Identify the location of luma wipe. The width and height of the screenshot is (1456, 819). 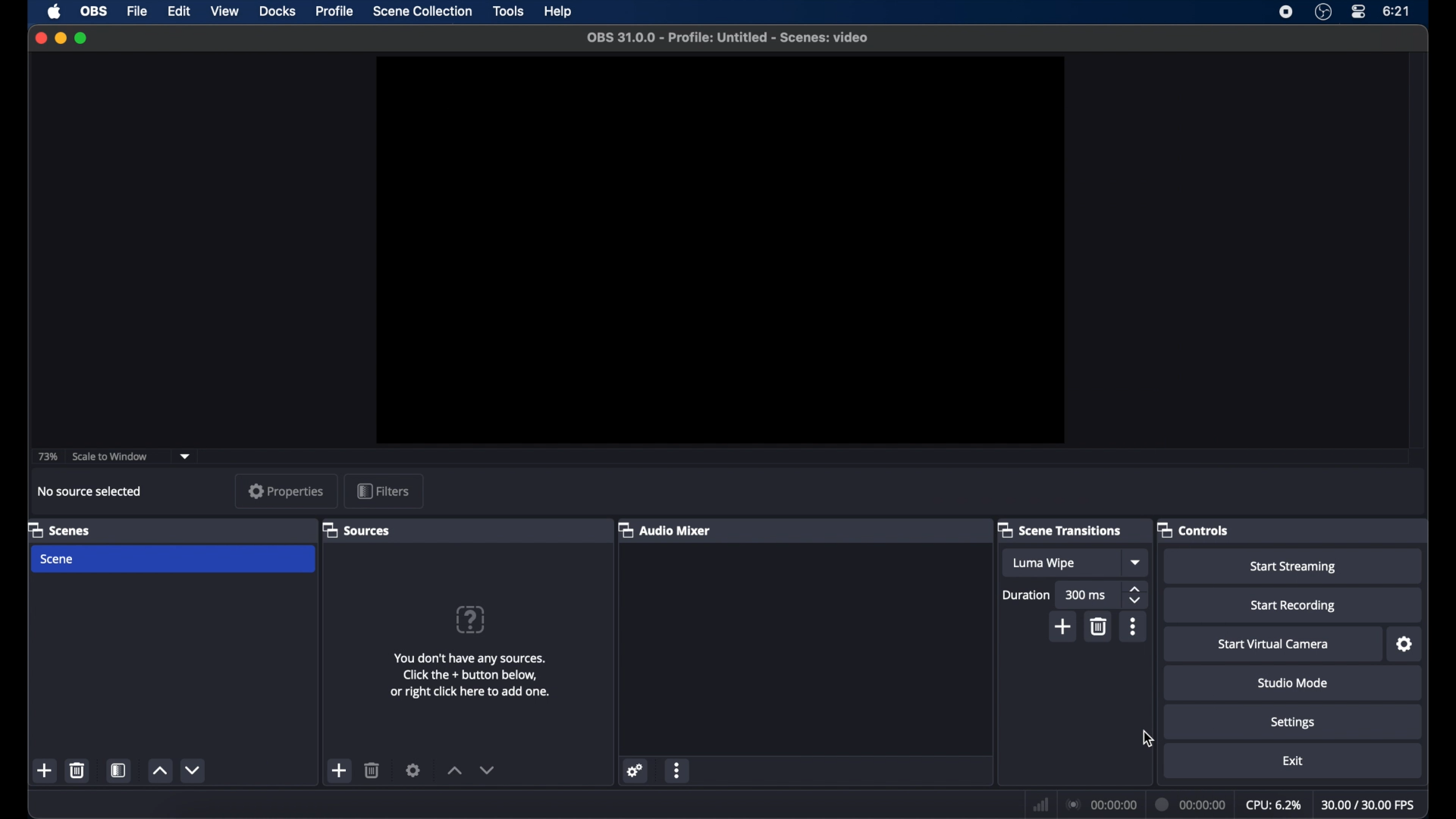
(1043, 563).